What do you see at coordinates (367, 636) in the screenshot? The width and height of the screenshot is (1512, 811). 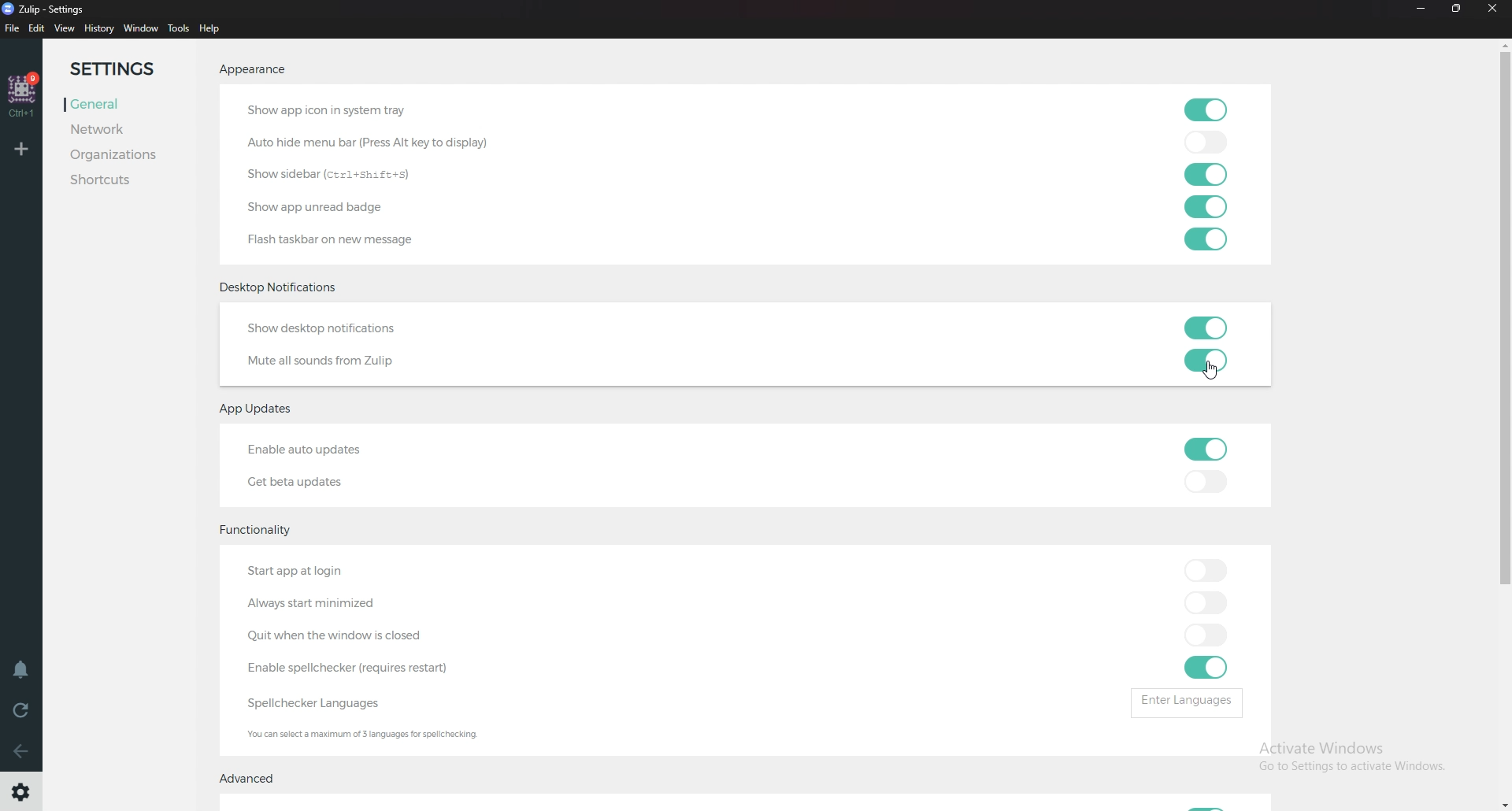 I see `quit when window is closed` at bounding box center [367, 636].